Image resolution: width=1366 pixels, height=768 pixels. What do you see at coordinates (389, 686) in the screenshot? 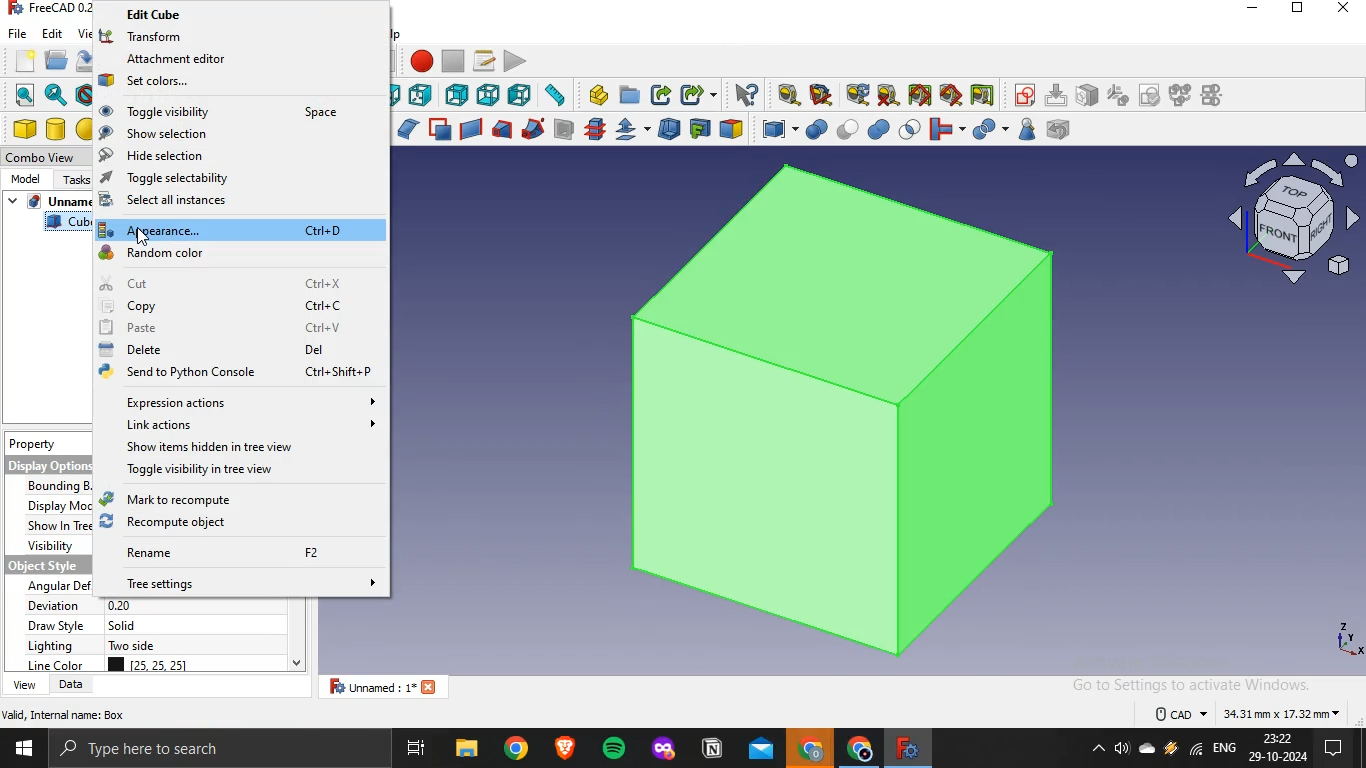
I see `unnamed` at bounding box center [389, 686].